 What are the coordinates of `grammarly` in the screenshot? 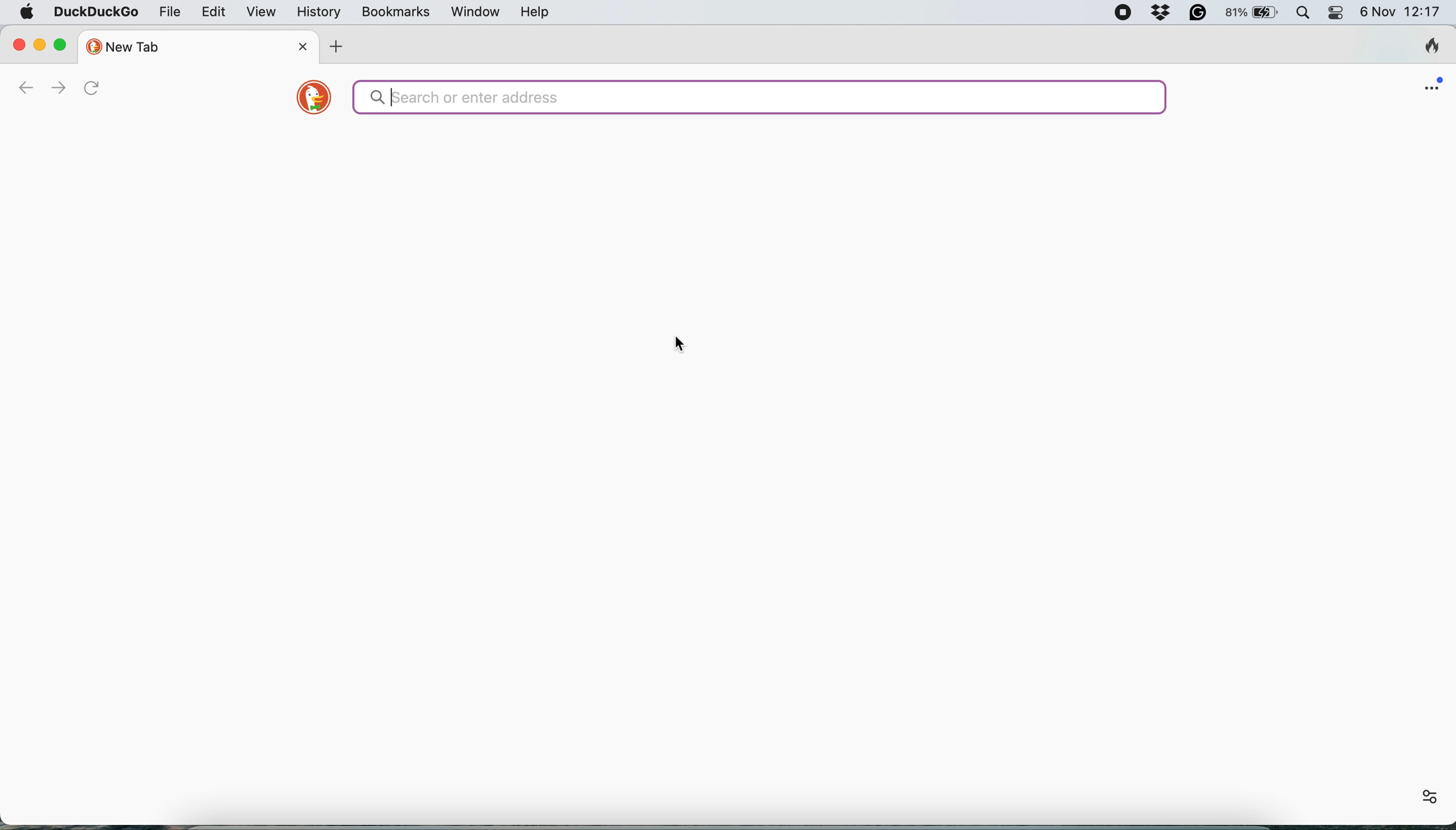 It's located at (1195, 14).